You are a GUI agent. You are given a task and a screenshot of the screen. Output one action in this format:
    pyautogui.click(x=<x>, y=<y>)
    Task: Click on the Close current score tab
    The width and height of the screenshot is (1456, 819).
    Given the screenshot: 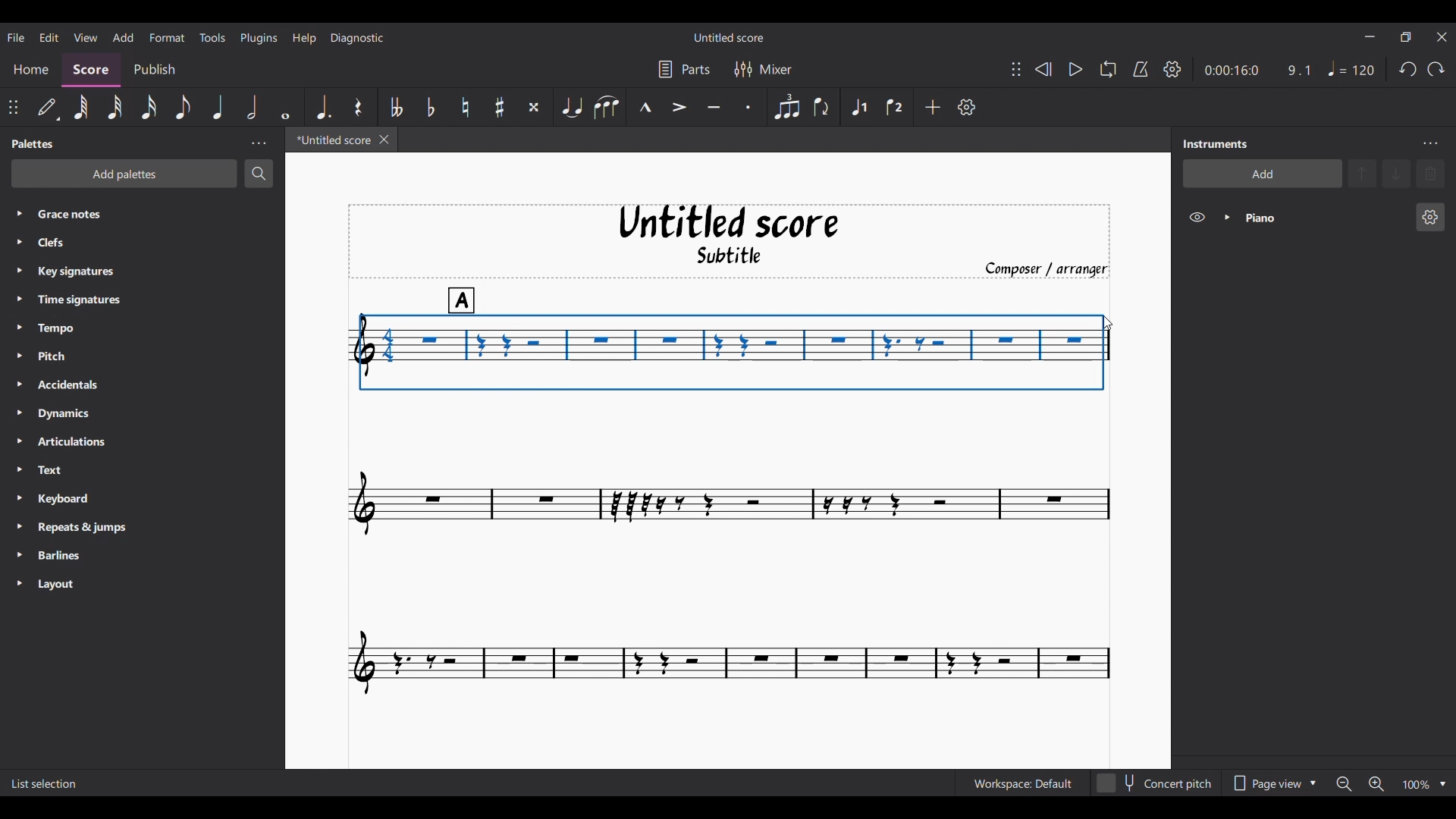 What is the action you would take?
    pyautogui.click(x=384, y=140)
    